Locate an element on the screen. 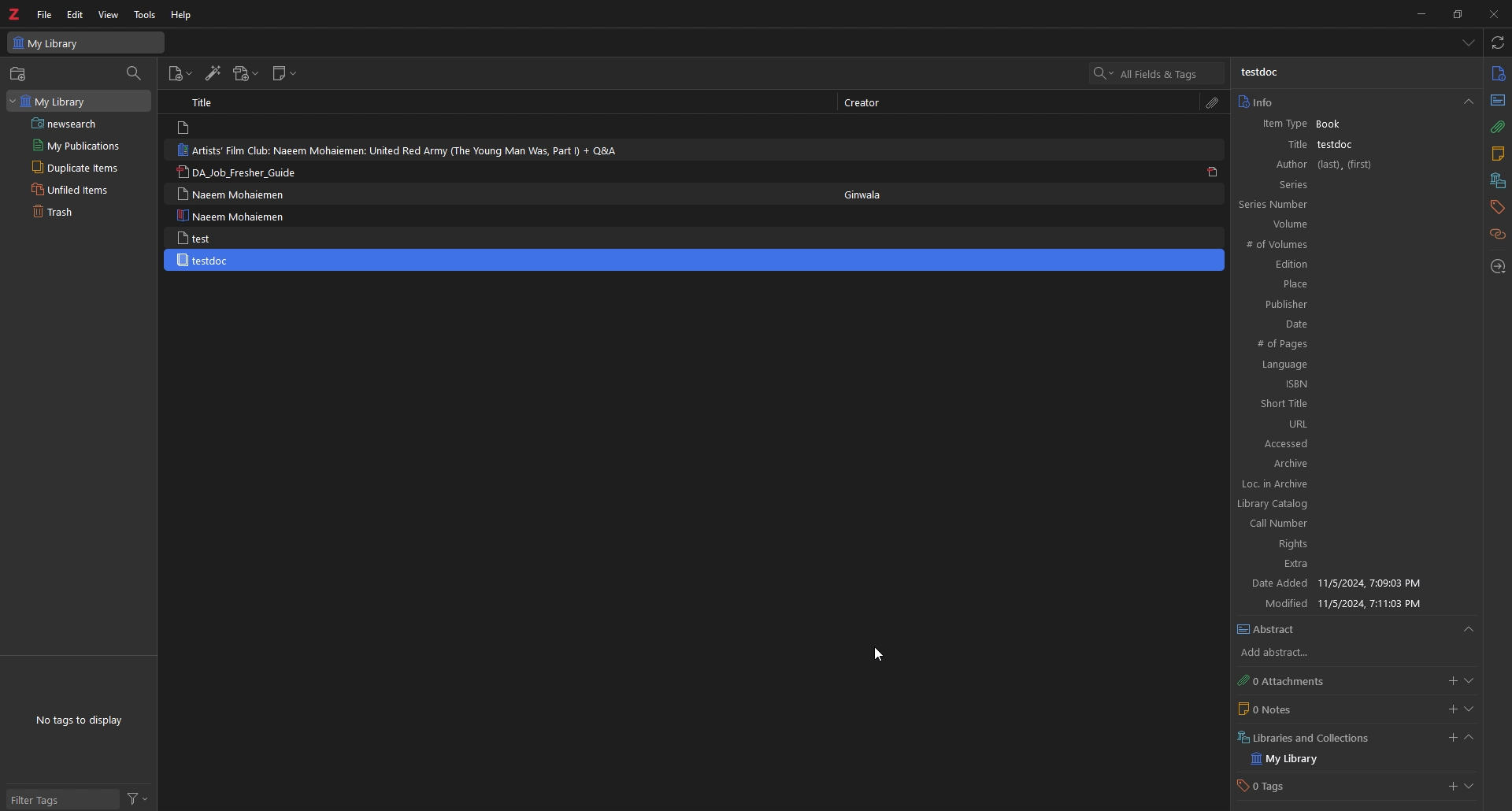 This screenshot has width=1512, height=811. show is located at coordinates (1469, 709).